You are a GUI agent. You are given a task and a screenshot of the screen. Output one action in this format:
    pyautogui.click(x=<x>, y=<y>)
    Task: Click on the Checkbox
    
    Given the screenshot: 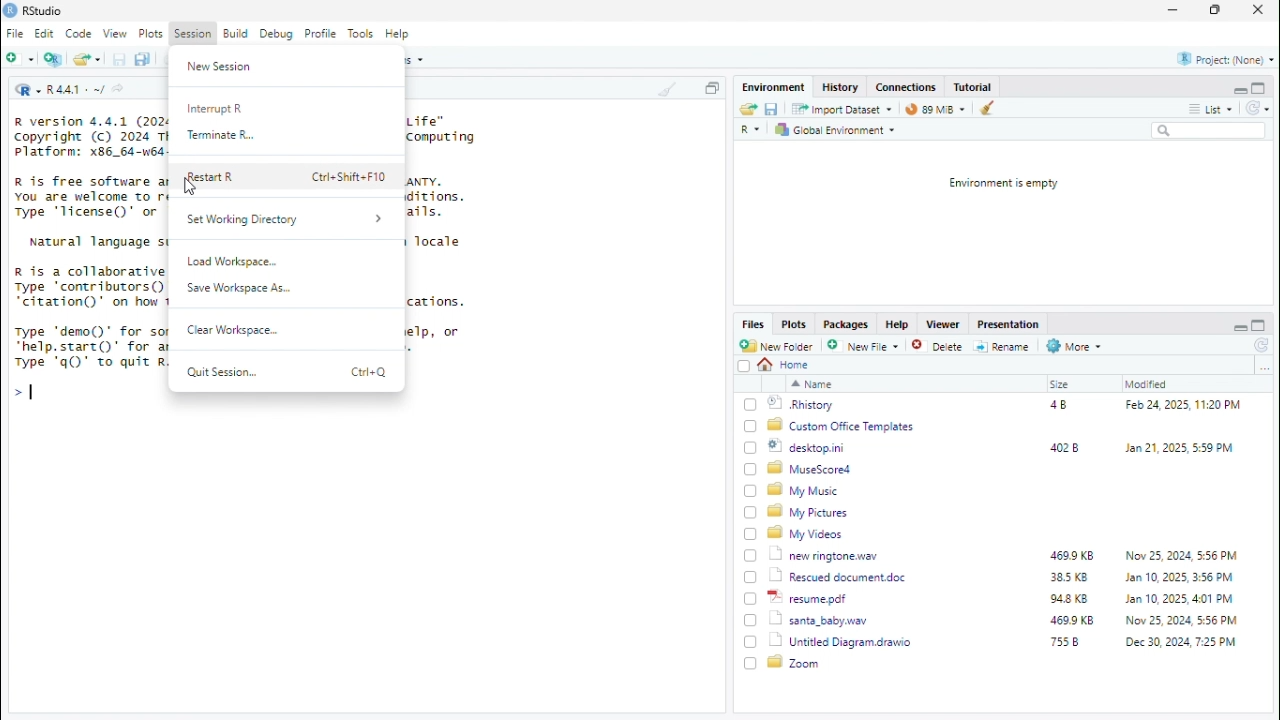 What is the action you would take?
    pyautogui.click(x=751, y=534)
    